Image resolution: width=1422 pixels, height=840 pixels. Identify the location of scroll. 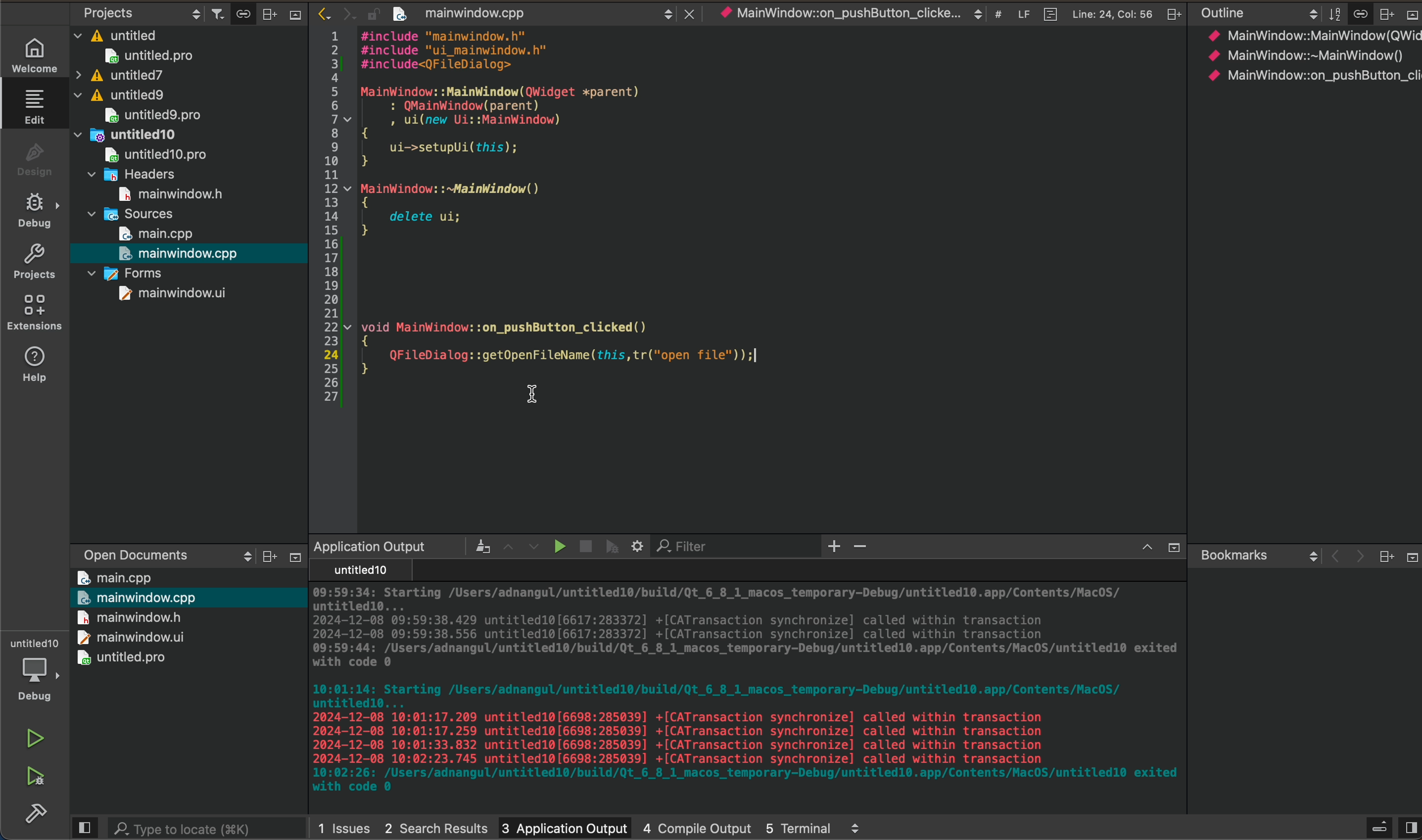
(190, 12).